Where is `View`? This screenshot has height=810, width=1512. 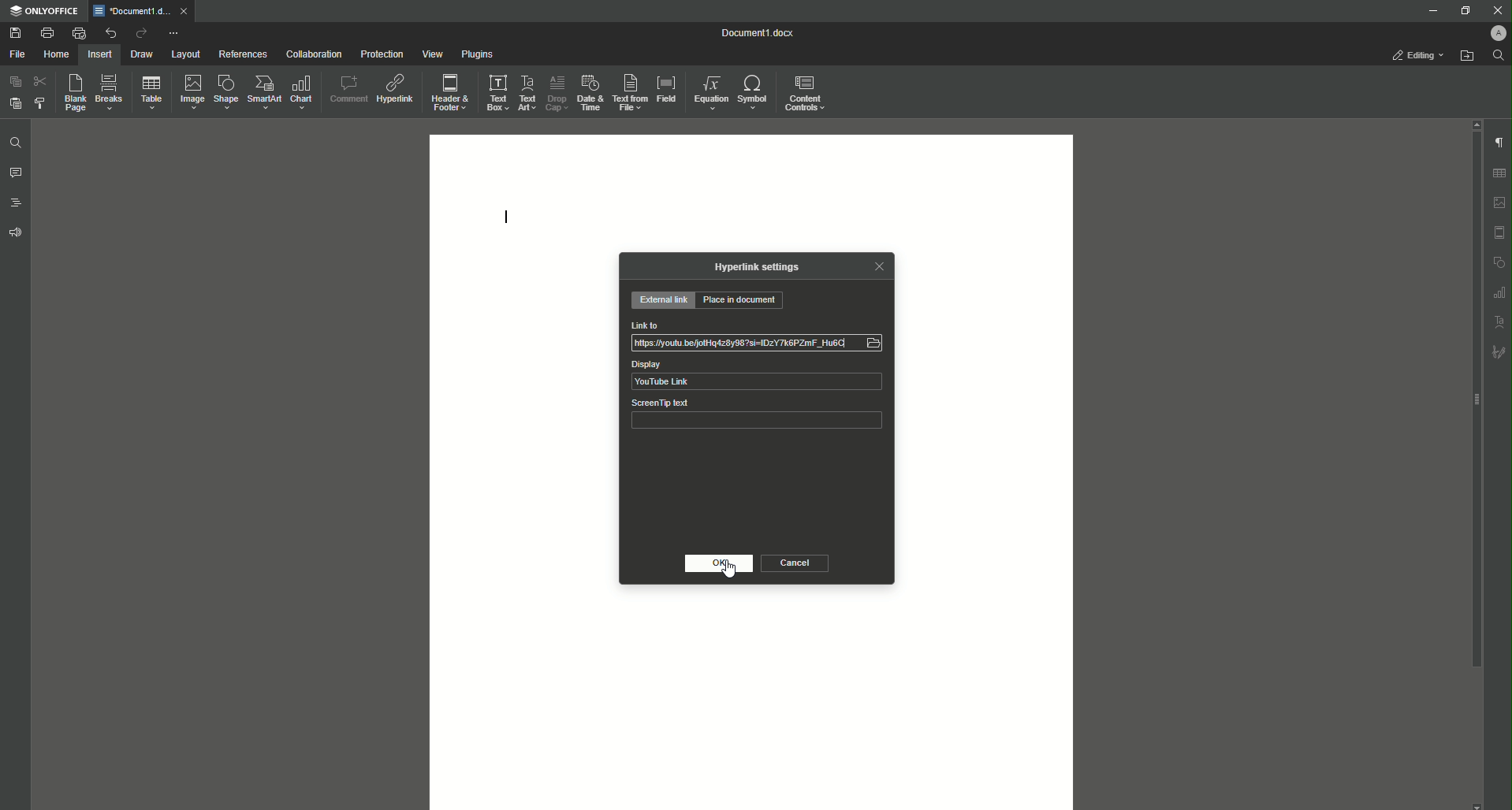
View is located at coordinates (433, 54).